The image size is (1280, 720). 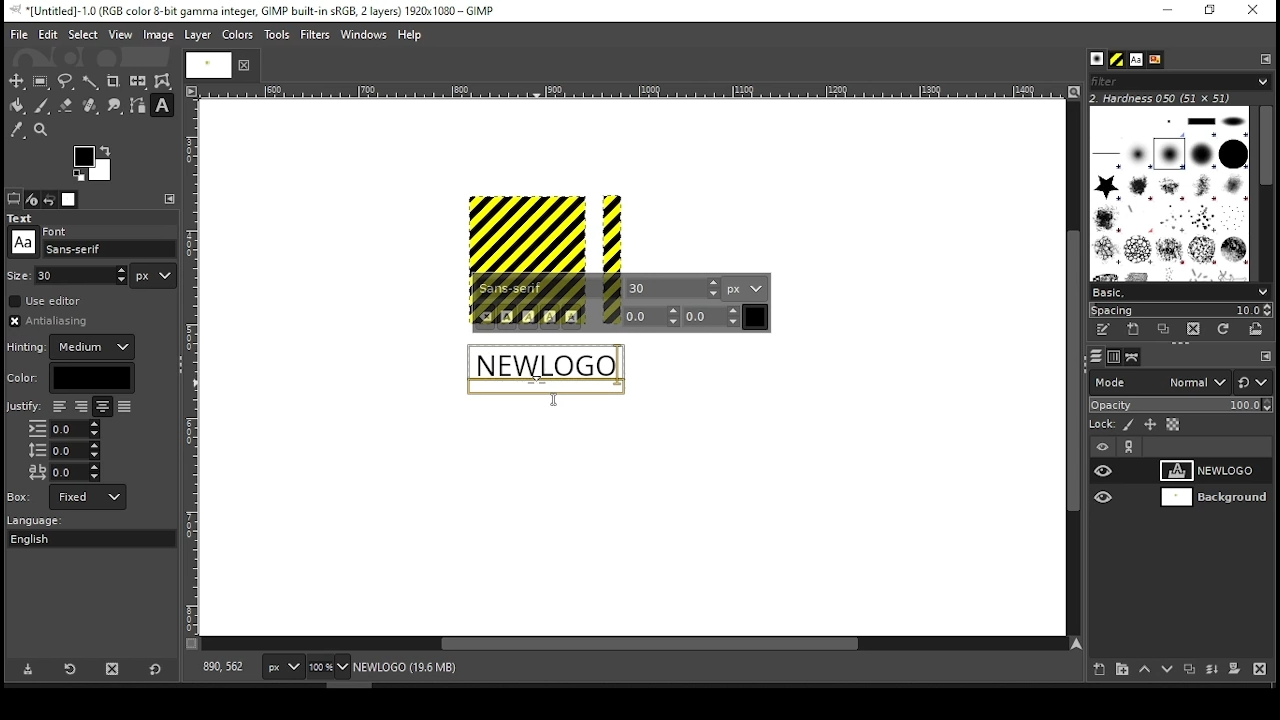 What do you see at coordinates (634, 645) in the screenshot?
I see `scroll bar` at bounding box center [634, 645].